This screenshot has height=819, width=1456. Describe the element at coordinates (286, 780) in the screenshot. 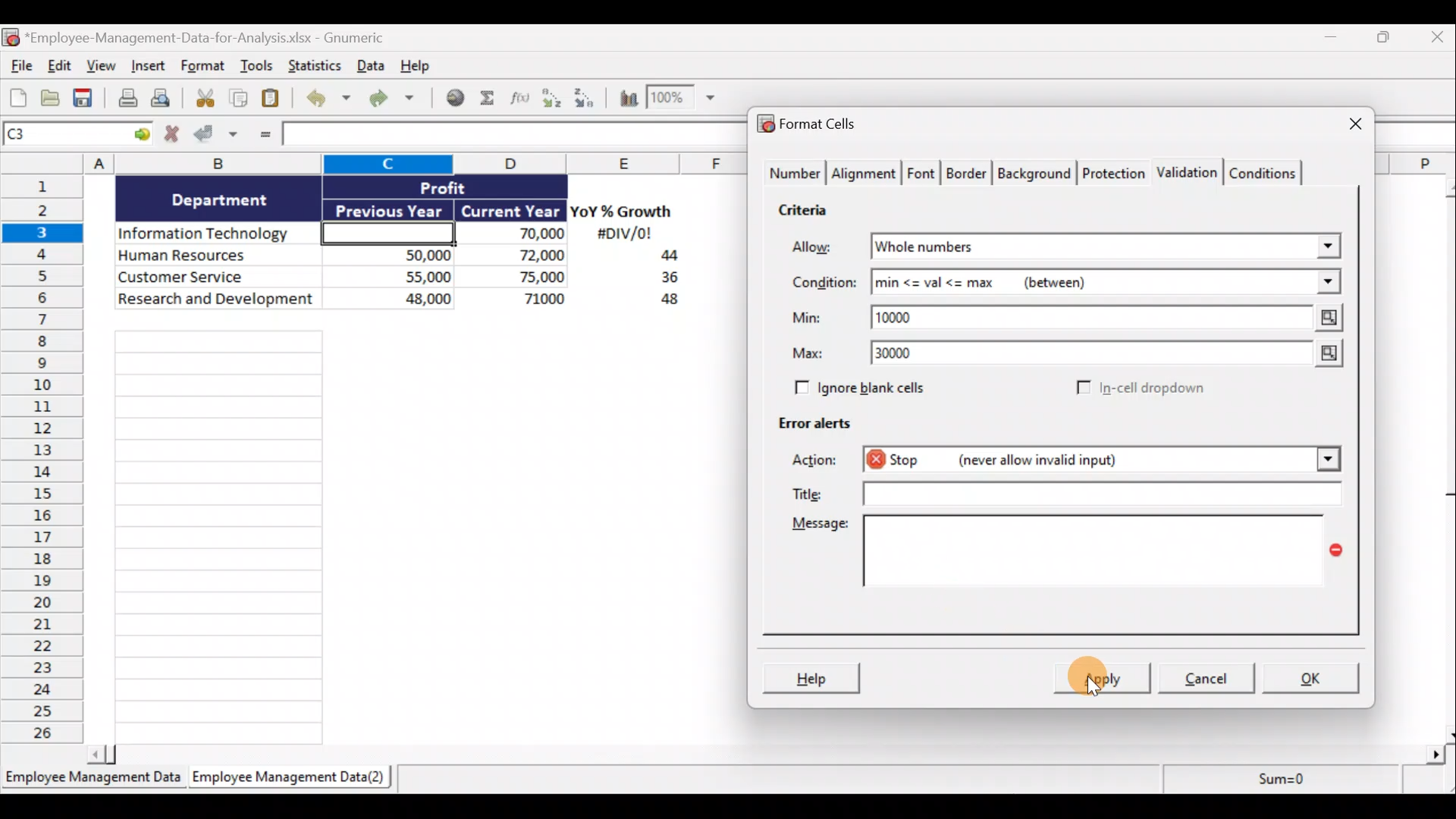

I see `Employee Management Data(2)` at that location.